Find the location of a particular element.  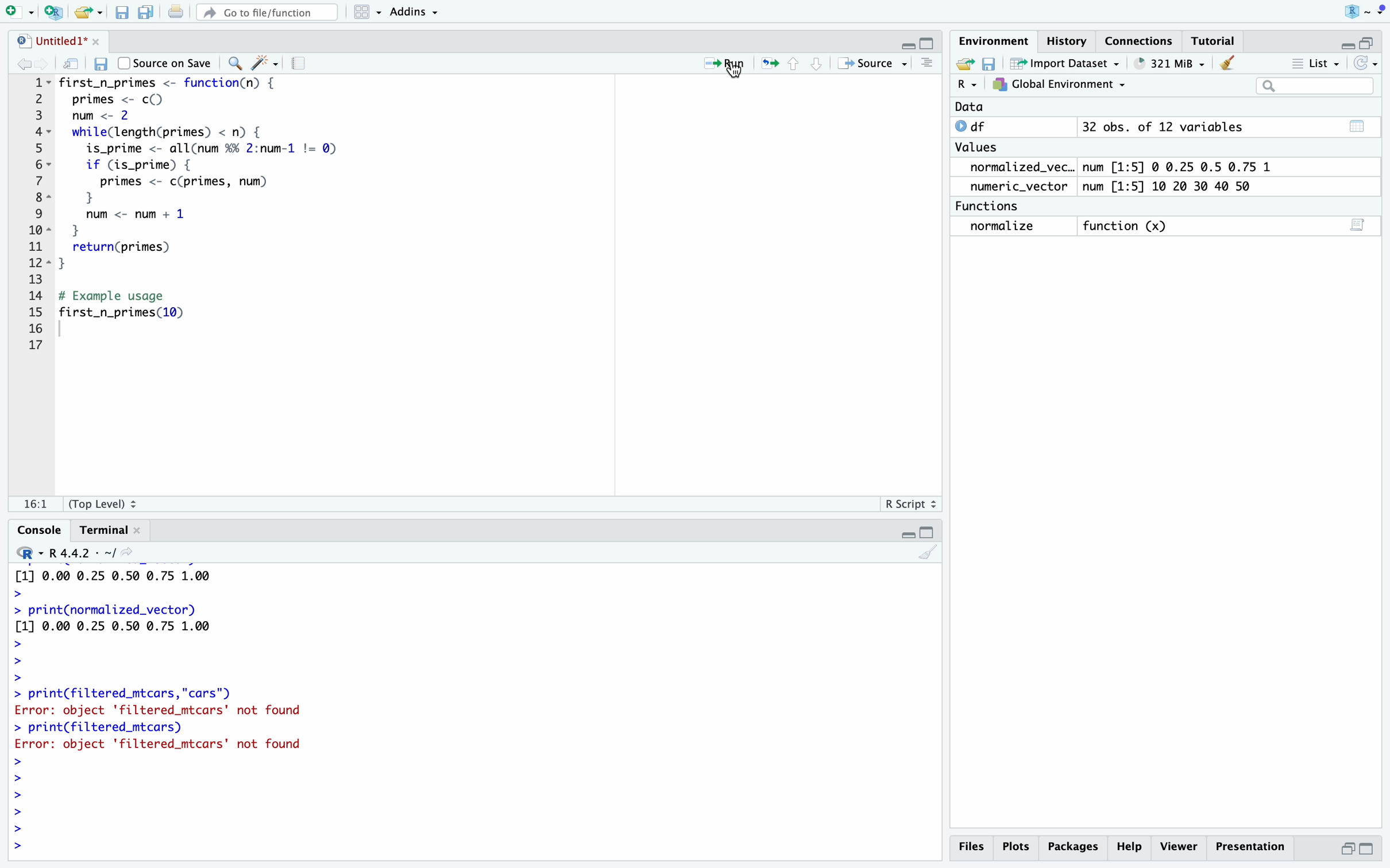

minimize/maximize is located at coordinates (911, 41).